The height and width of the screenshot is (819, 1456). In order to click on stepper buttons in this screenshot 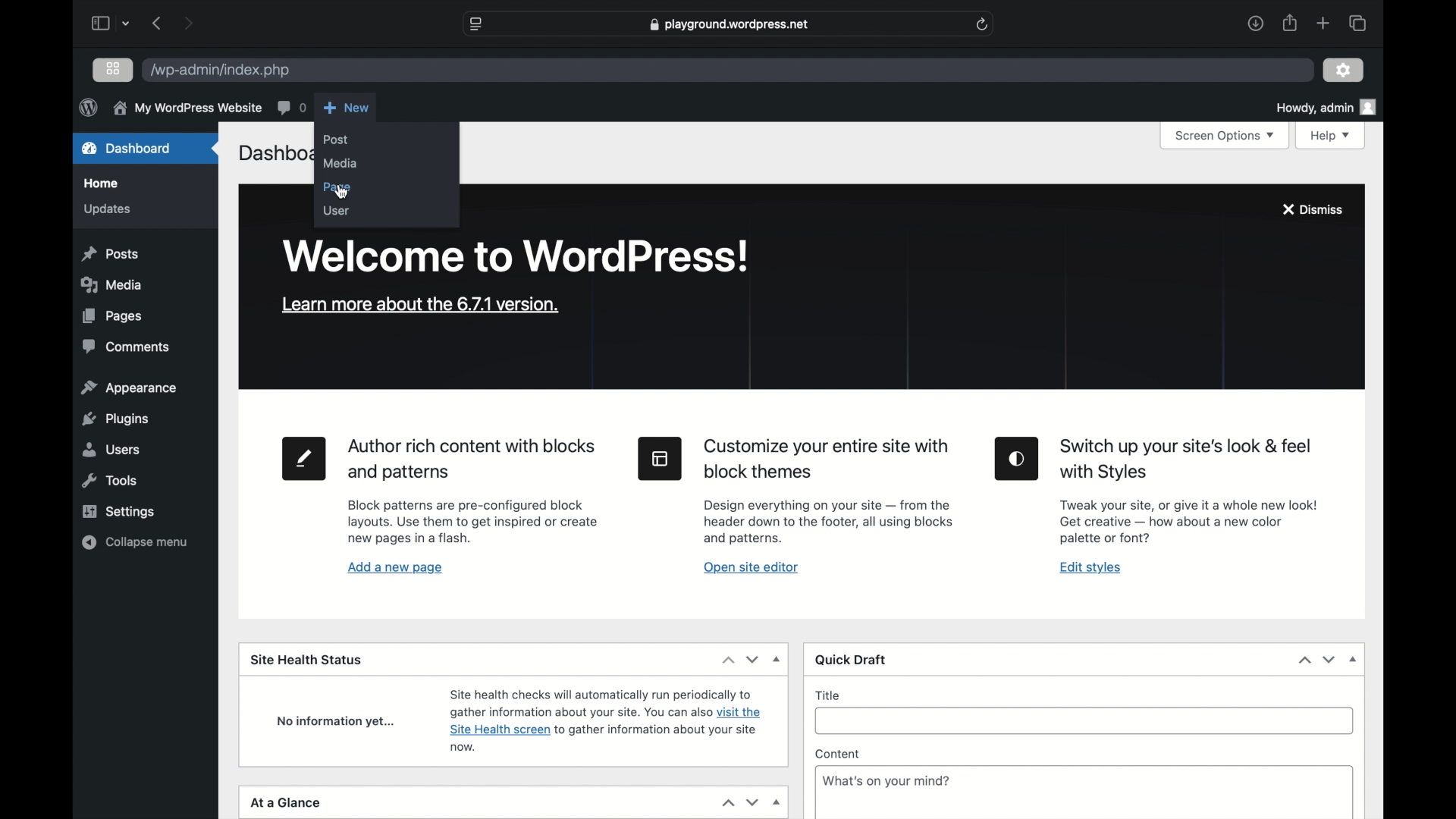, I will do `click(740, 802)`.